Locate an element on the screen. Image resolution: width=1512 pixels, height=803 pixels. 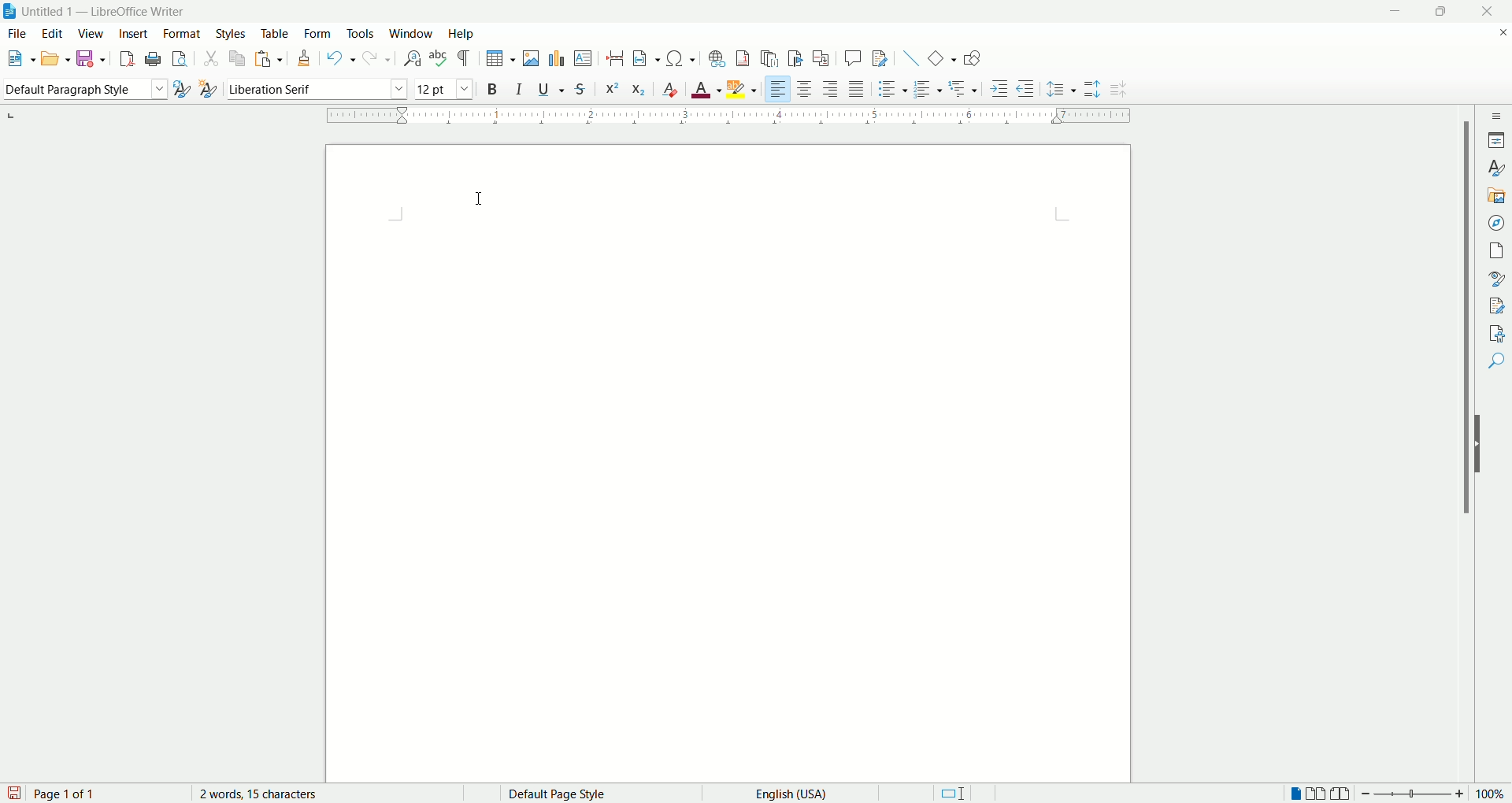
gallery is located at coordinates (1496, 196).